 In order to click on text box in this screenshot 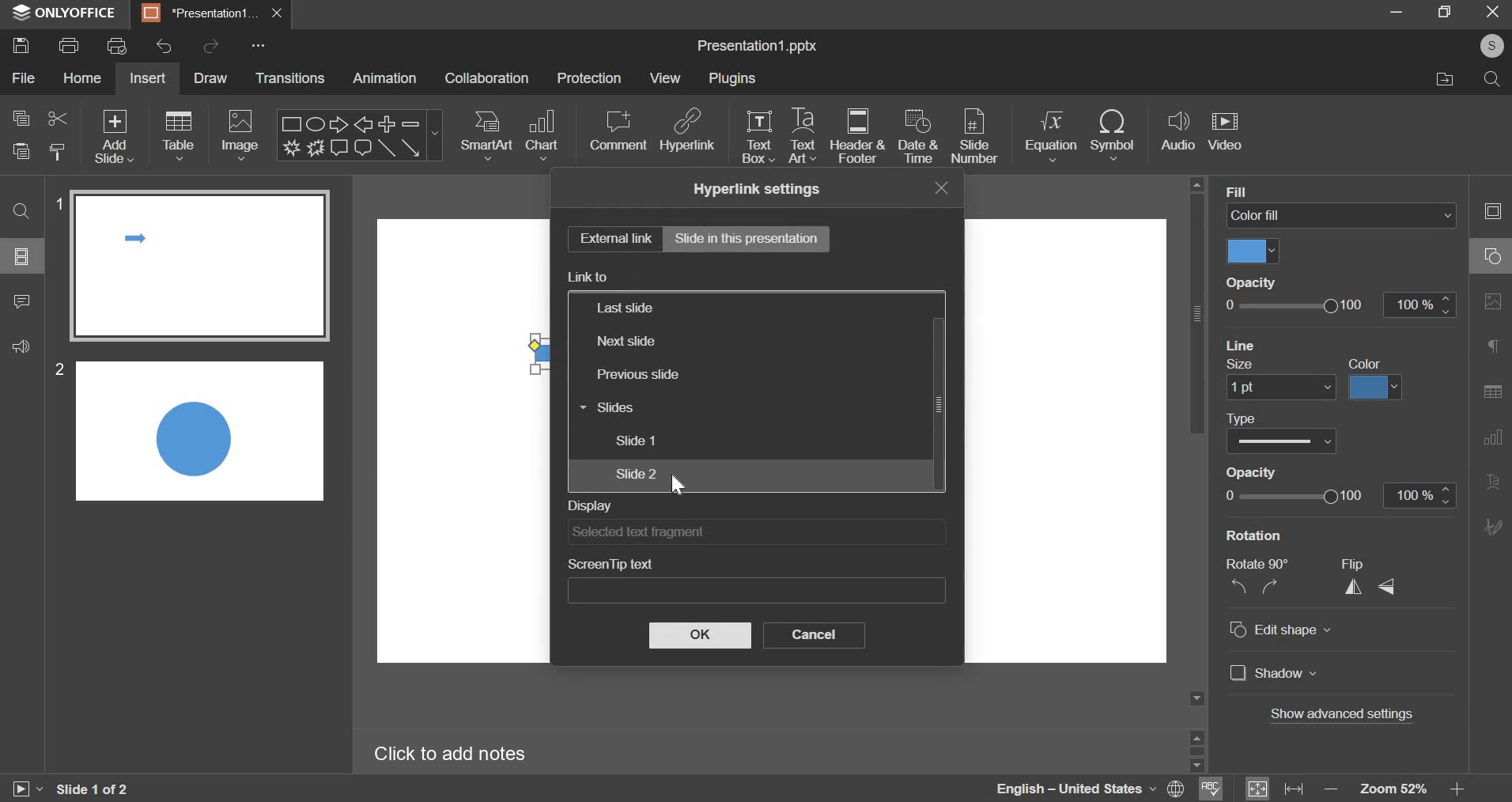, I will do `click(758, 136)`.